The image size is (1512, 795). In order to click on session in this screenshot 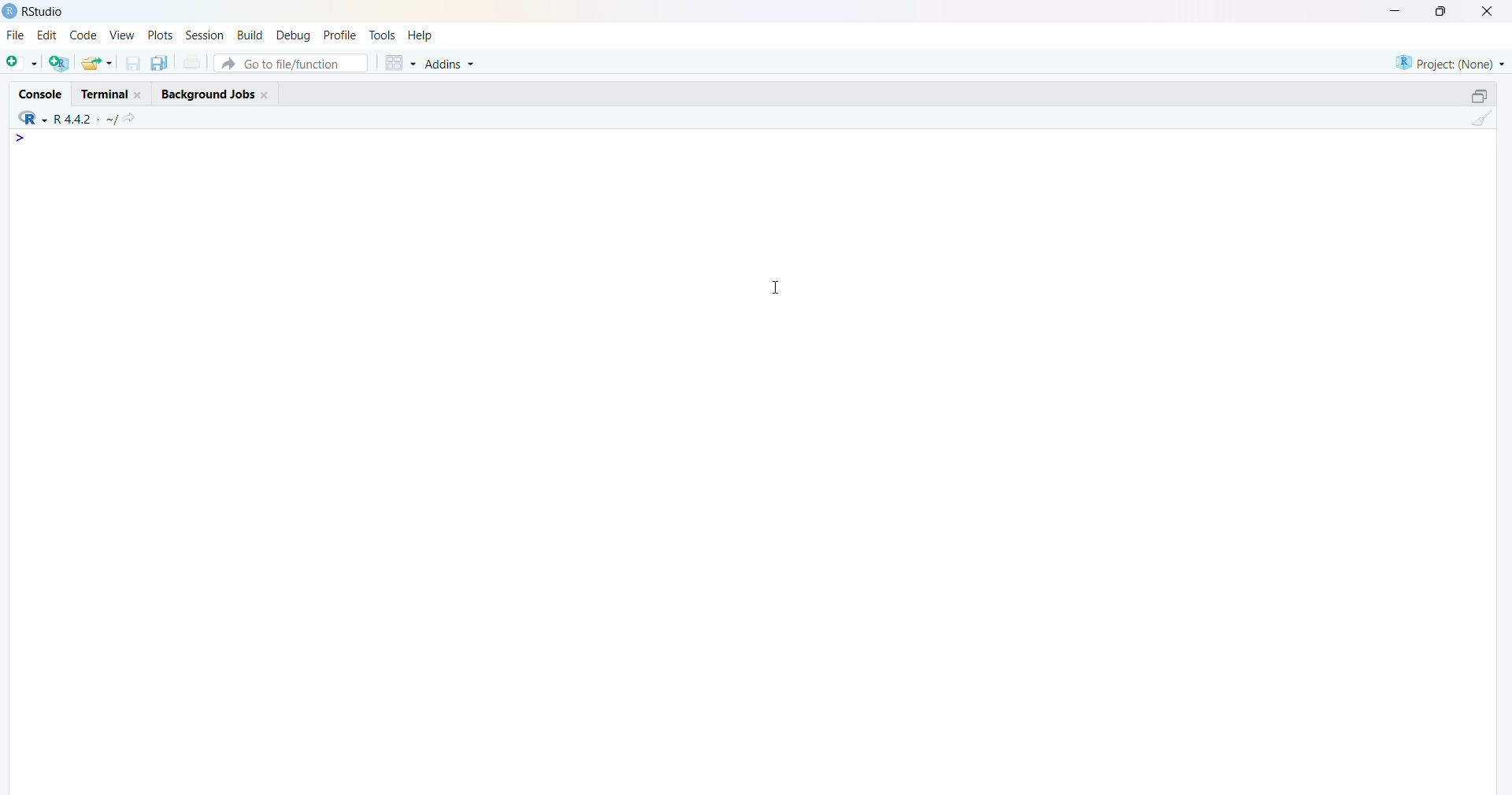, I will do `click(206, 35)`.